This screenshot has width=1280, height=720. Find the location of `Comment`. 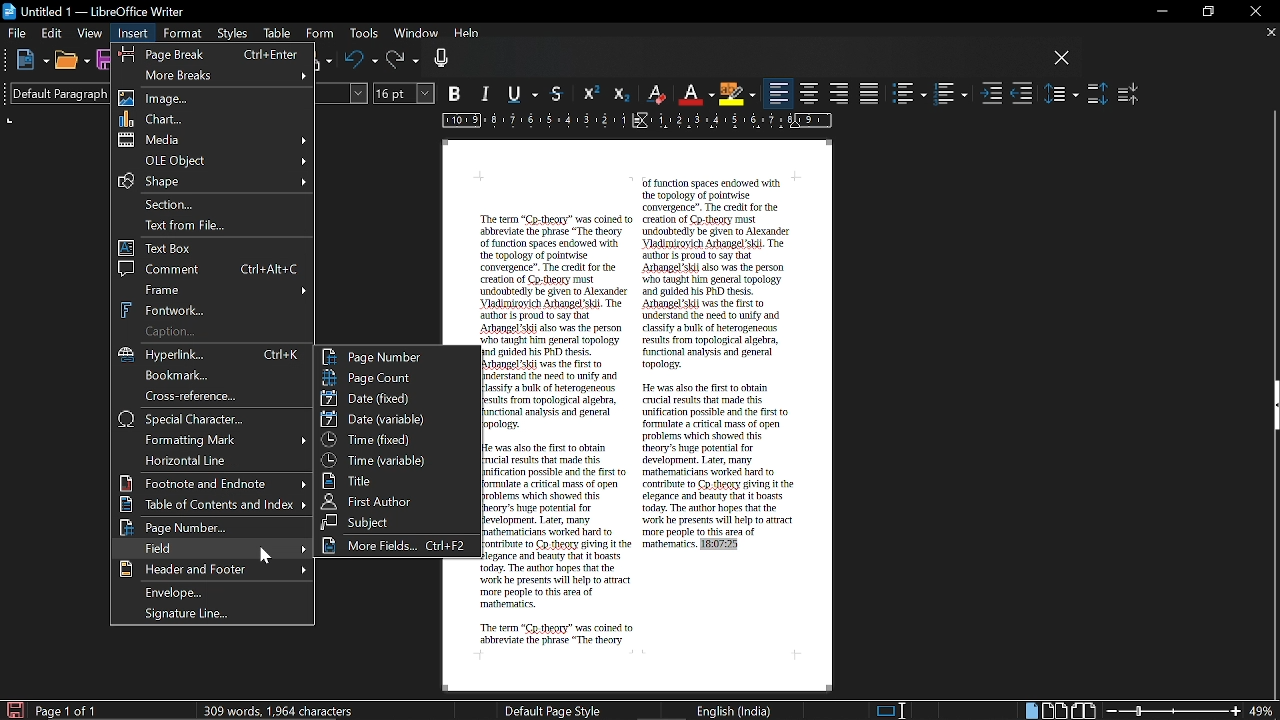

Comment is located at coordinates (212, 268).